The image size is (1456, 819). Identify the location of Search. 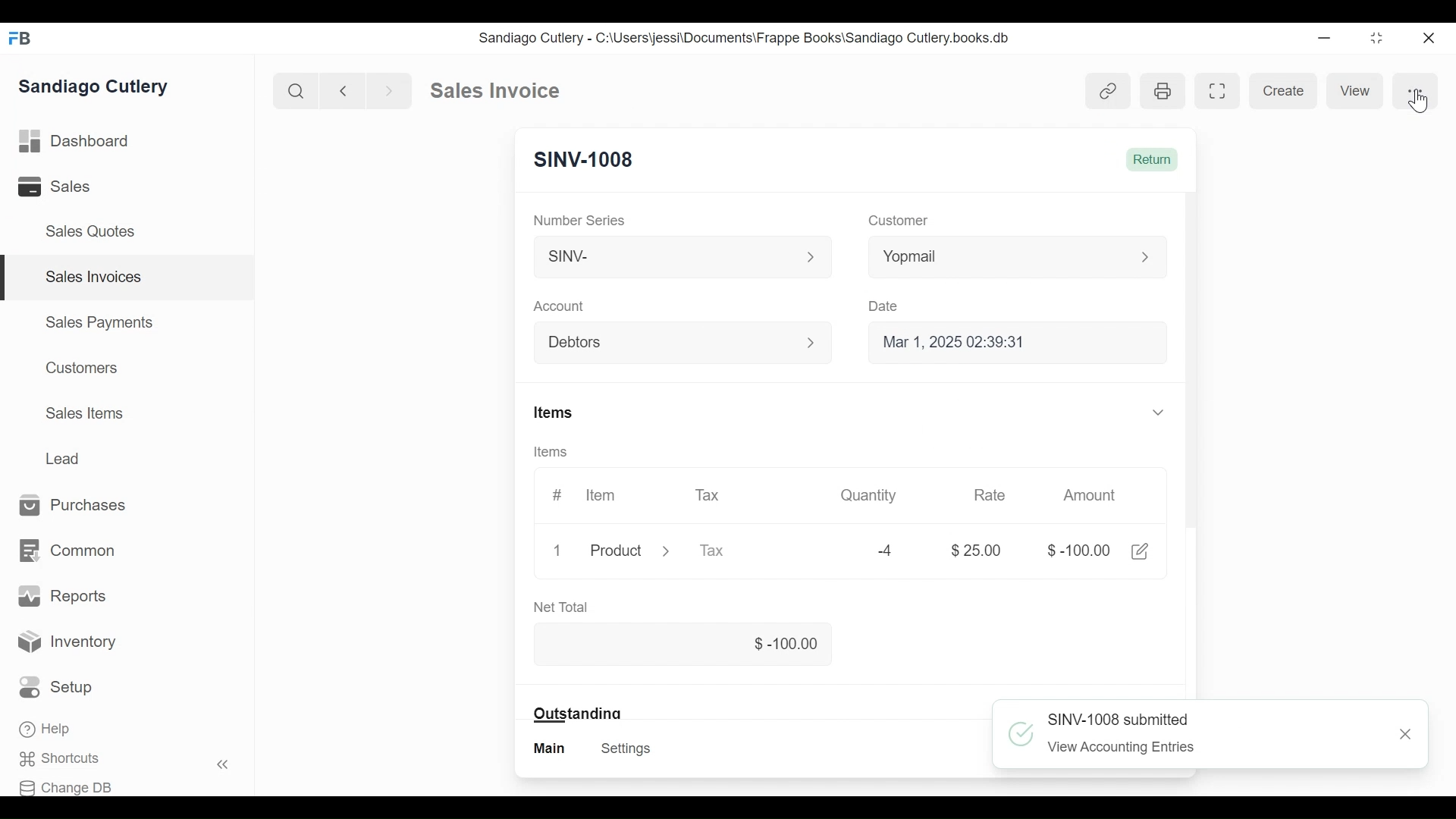
(296, 89).